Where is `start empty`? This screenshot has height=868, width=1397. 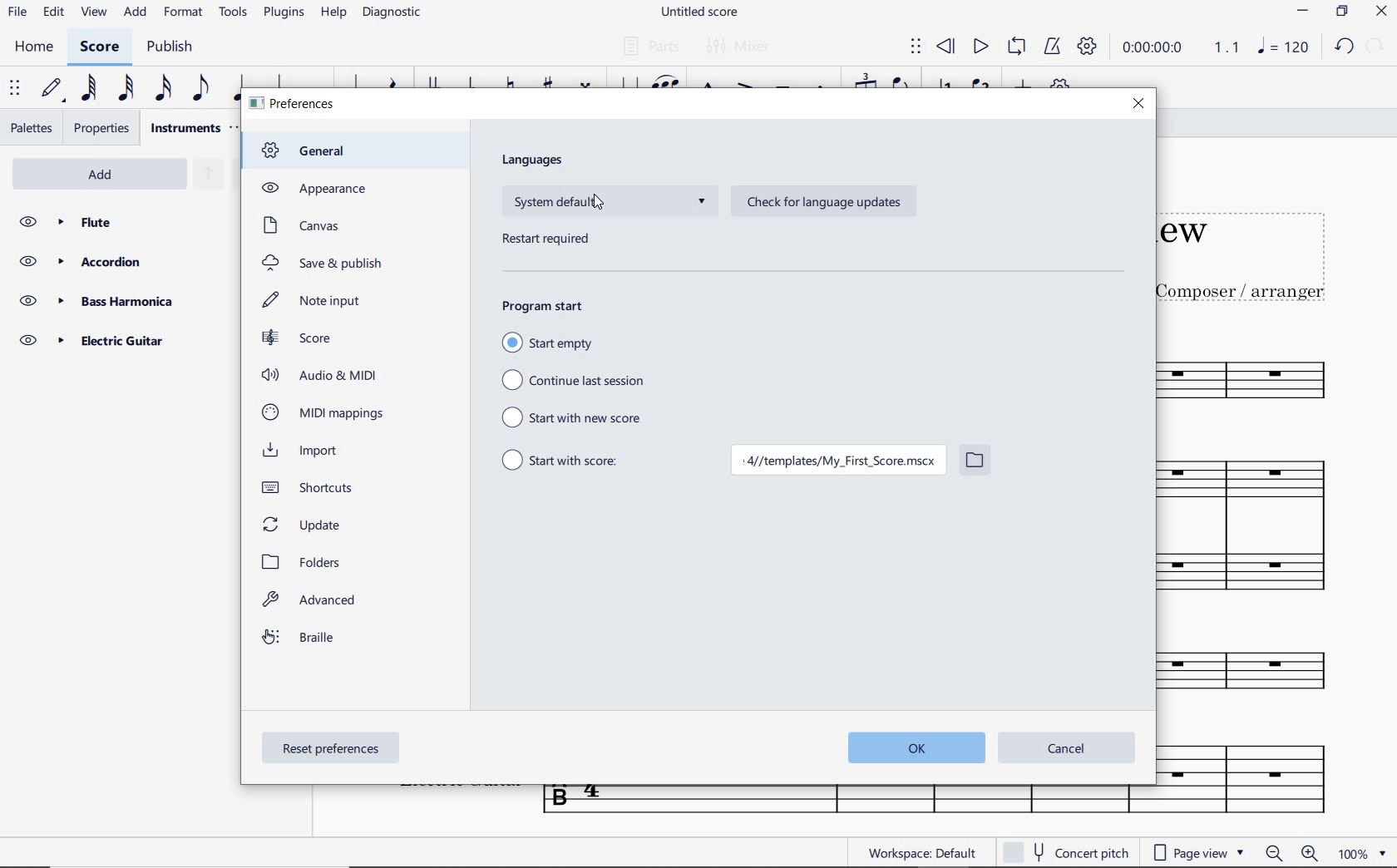 start empty is located at coordinates (547, 343).